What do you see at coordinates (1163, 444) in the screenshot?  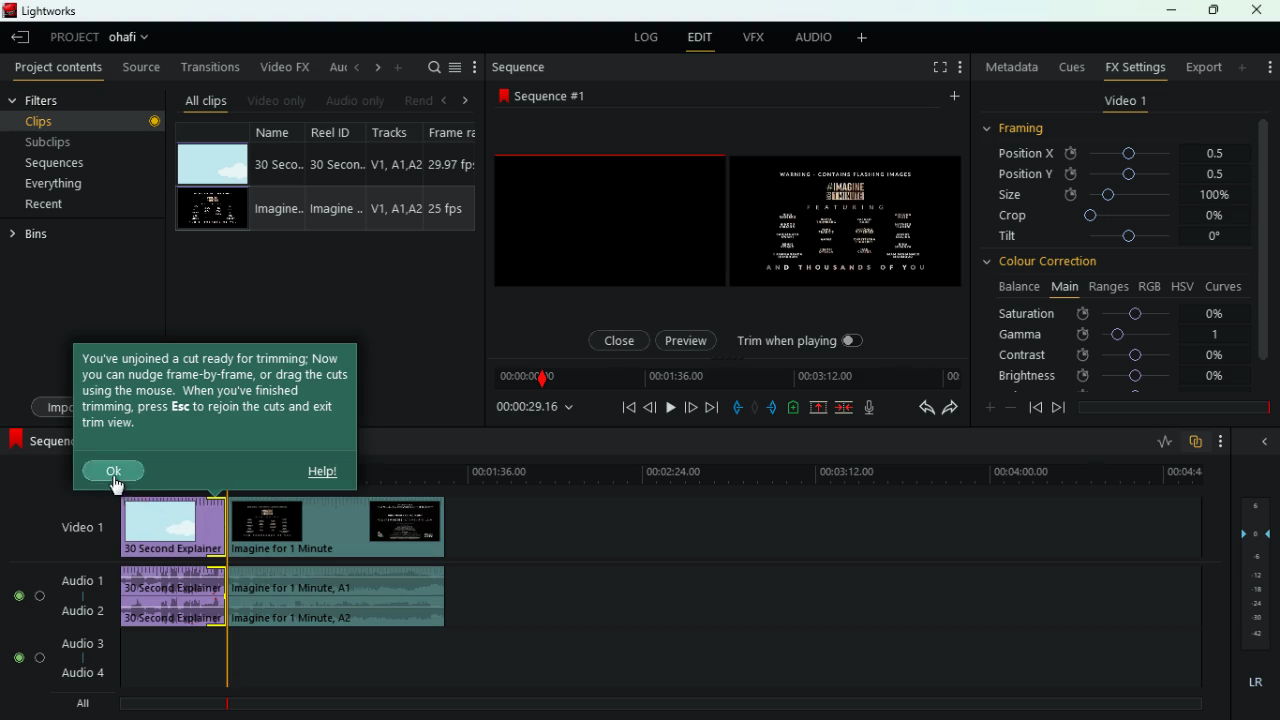 I see `rate` at bounding box center [1163, 444].